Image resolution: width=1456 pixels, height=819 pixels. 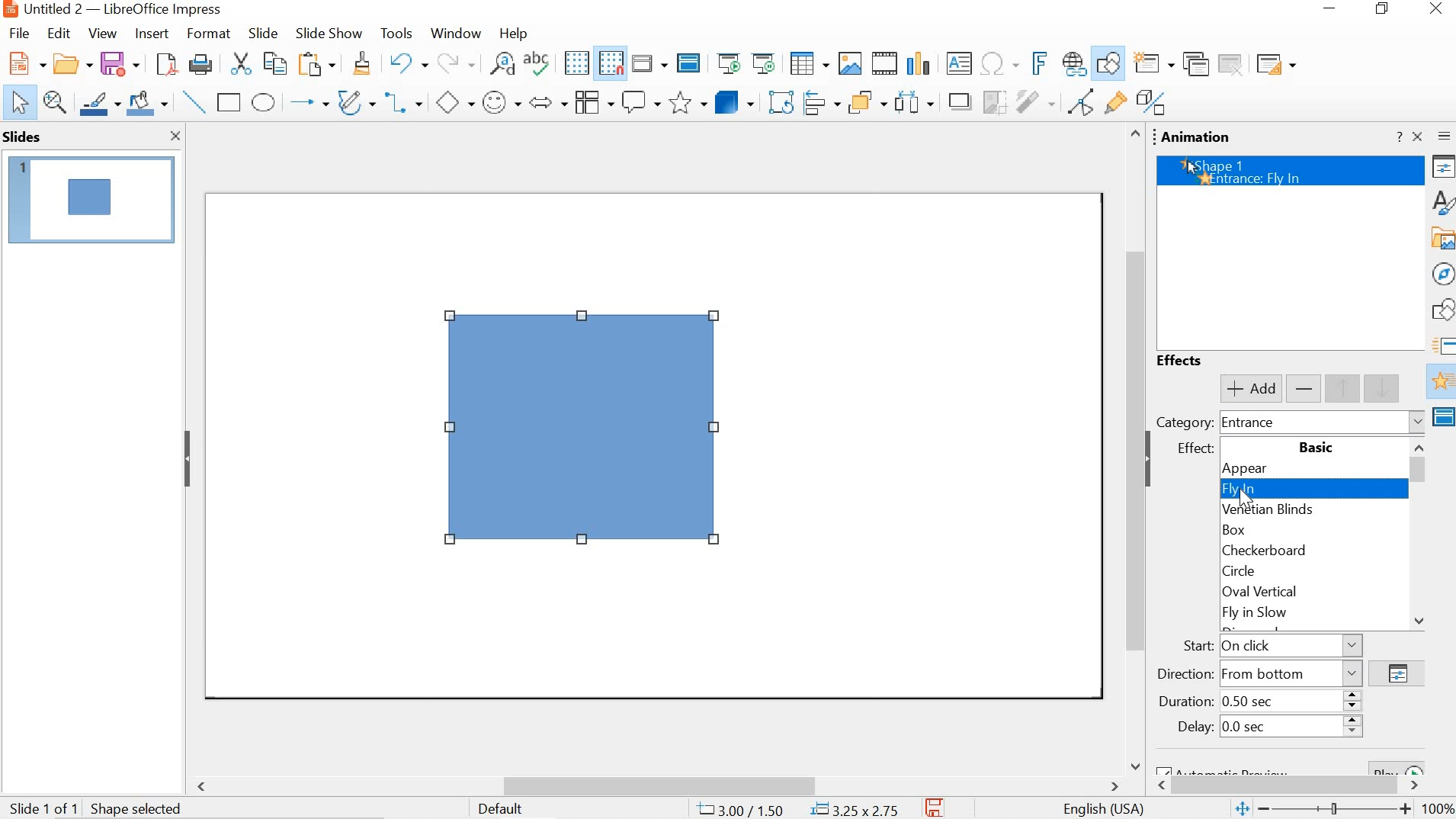 I want to click on curves and polygons", so click(x=354, y=101).